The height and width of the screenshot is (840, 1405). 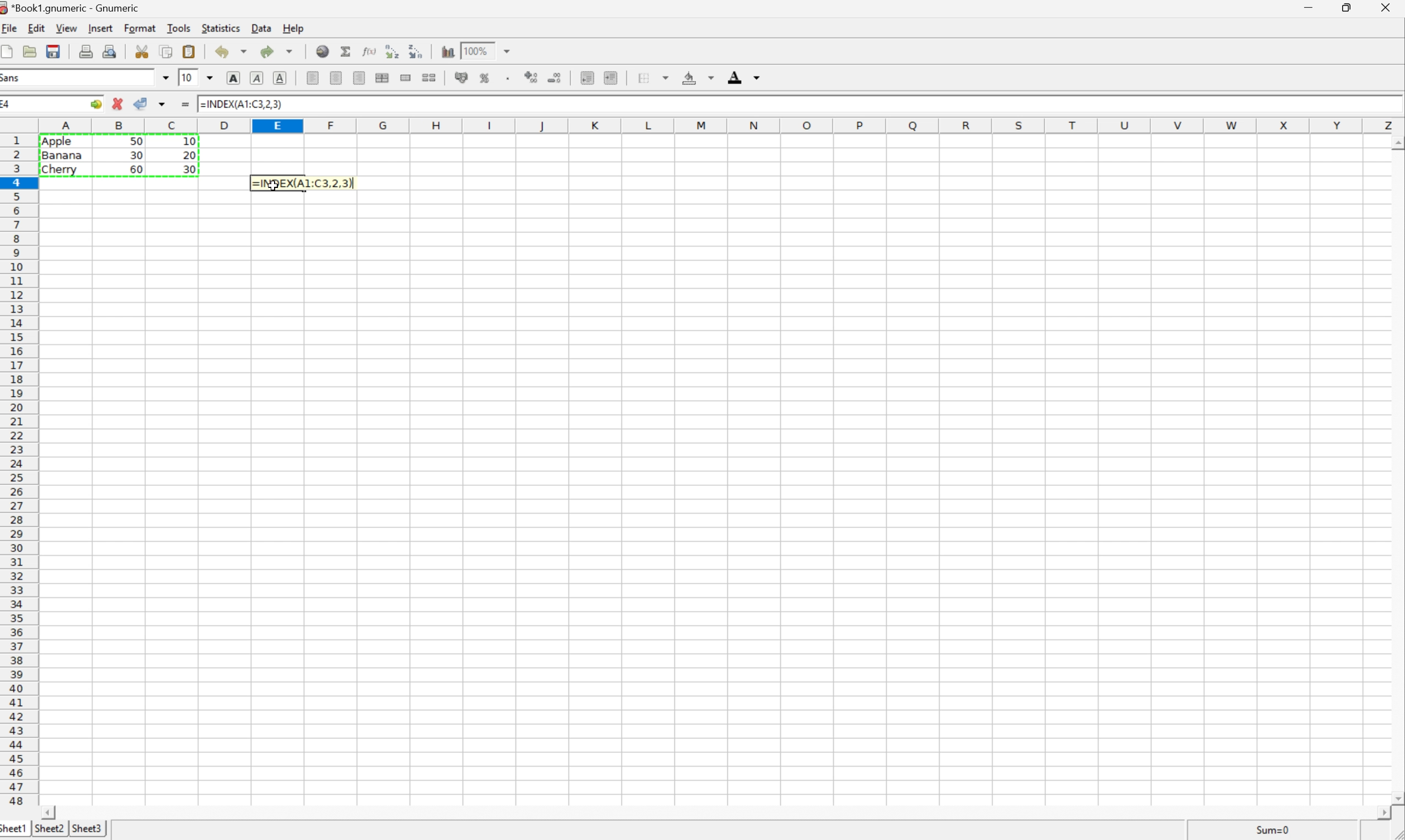 I want to click on accept changes across selection, so click(x=164, y=104).